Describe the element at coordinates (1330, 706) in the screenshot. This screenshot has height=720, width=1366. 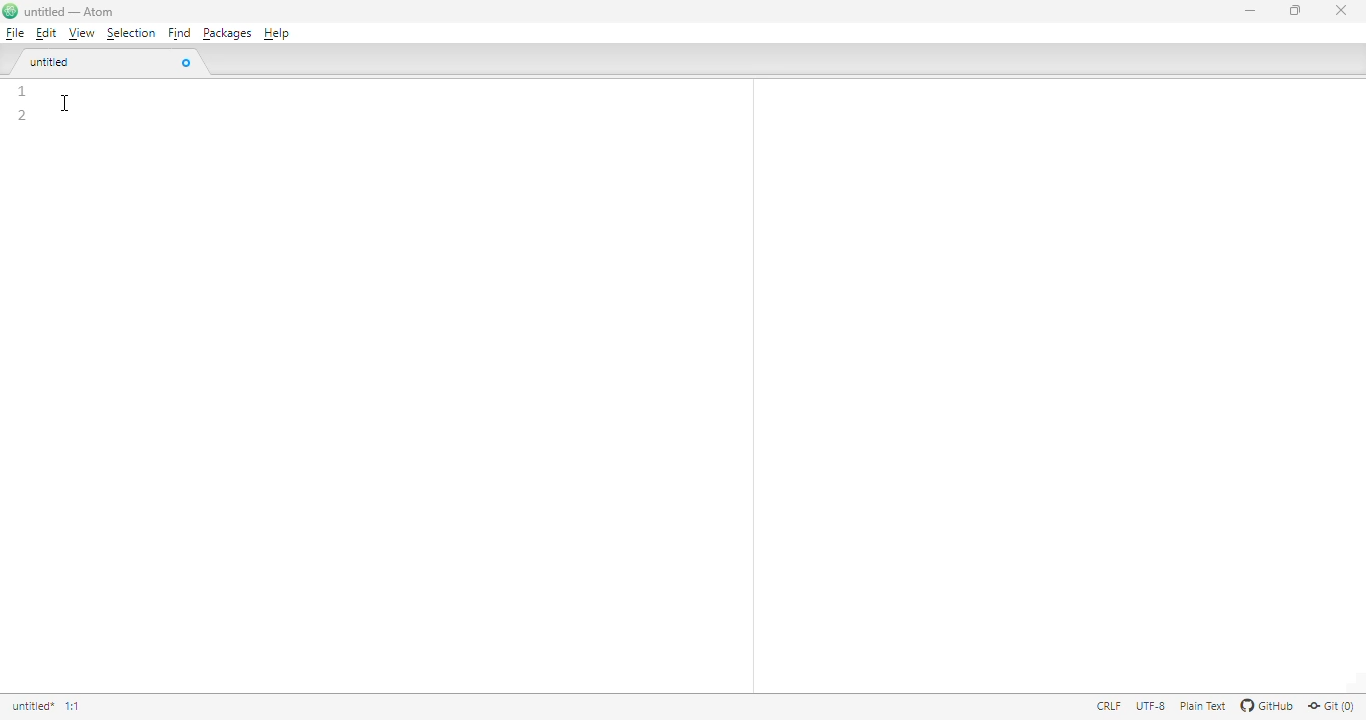
I see `Git(0)` at that location.